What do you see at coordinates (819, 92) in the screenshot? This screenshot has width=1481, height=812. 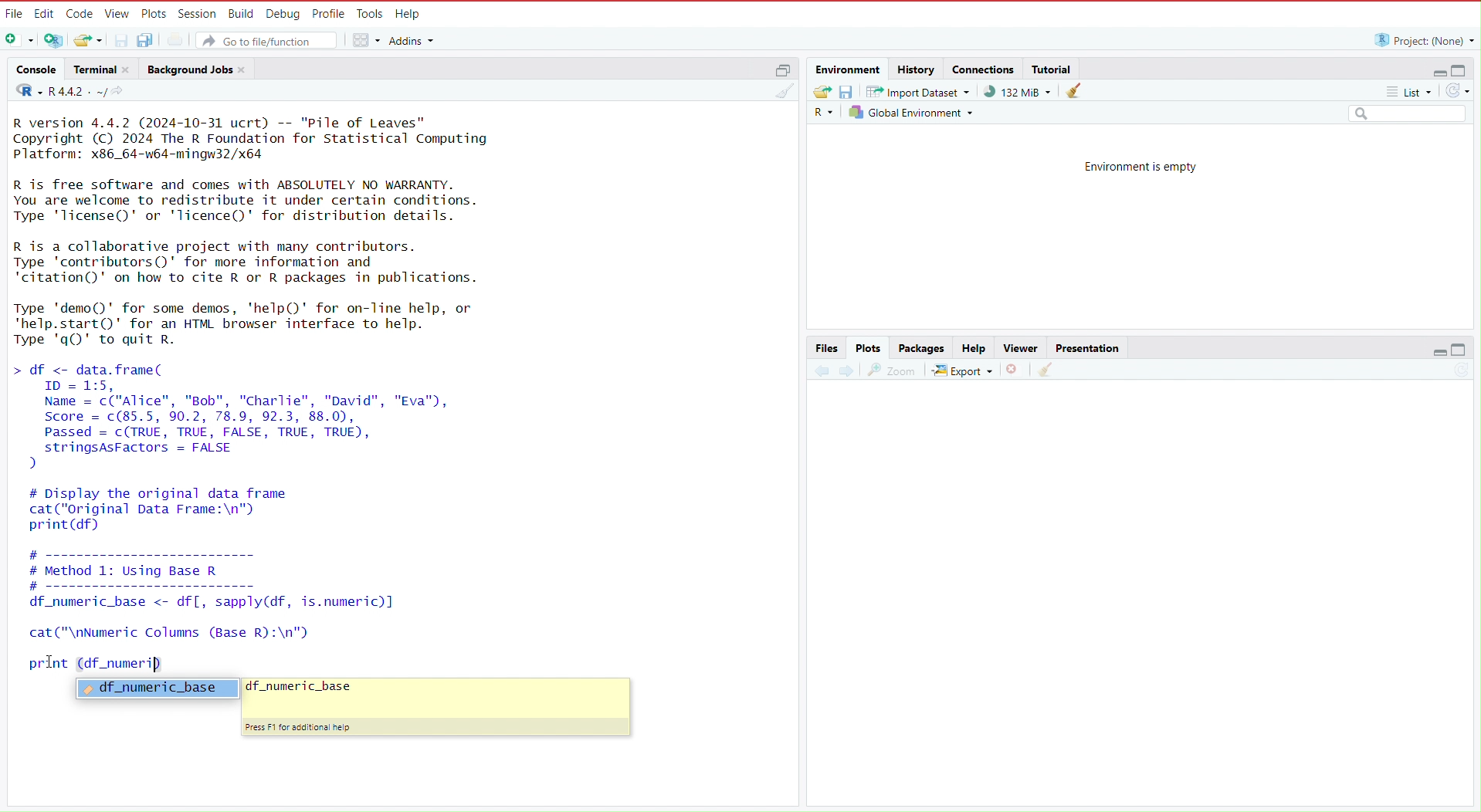 I see `Load workspace` at bounding box center [819, 92].